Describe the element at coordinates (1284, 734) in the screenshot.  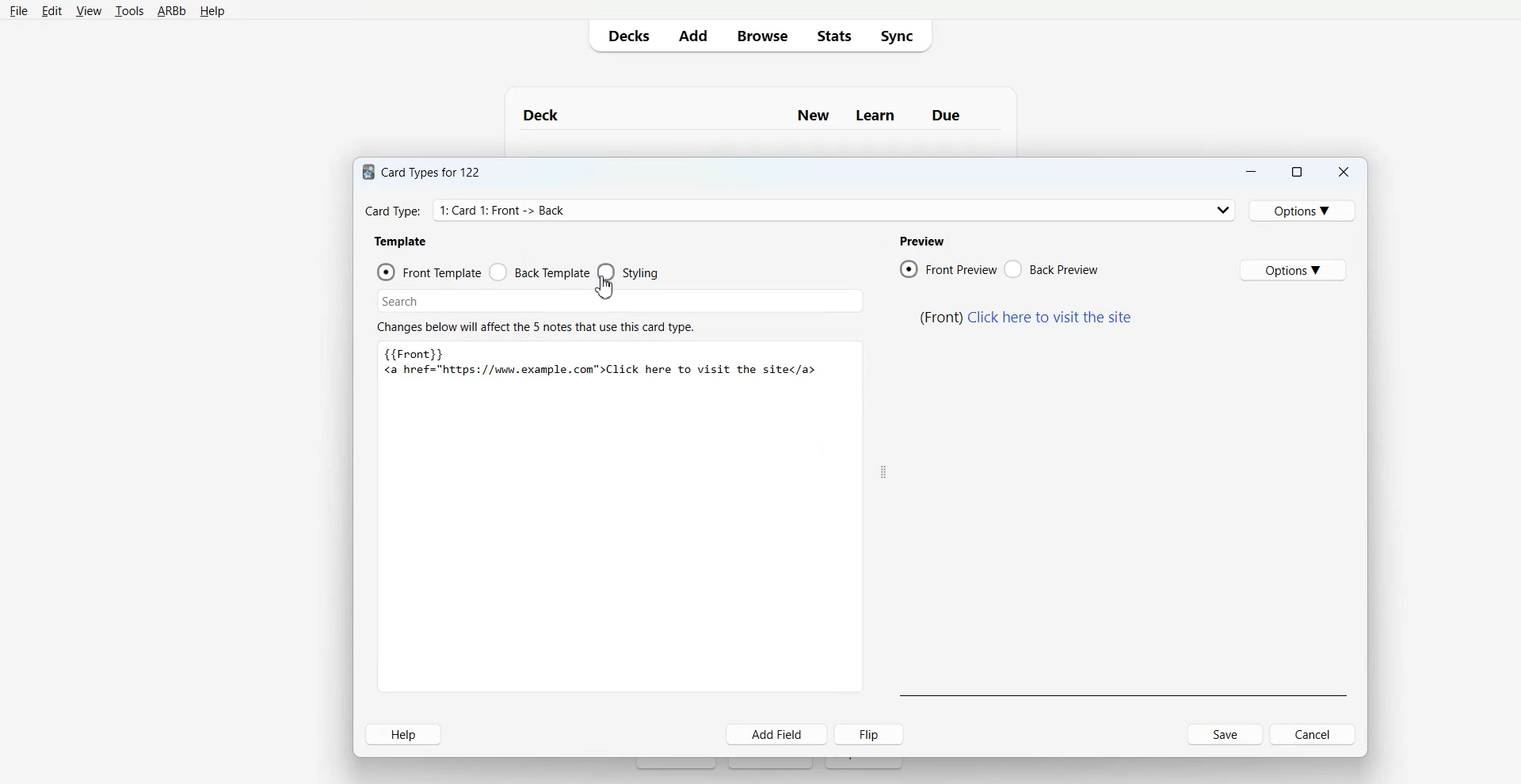
I see `Cancel` at that location.